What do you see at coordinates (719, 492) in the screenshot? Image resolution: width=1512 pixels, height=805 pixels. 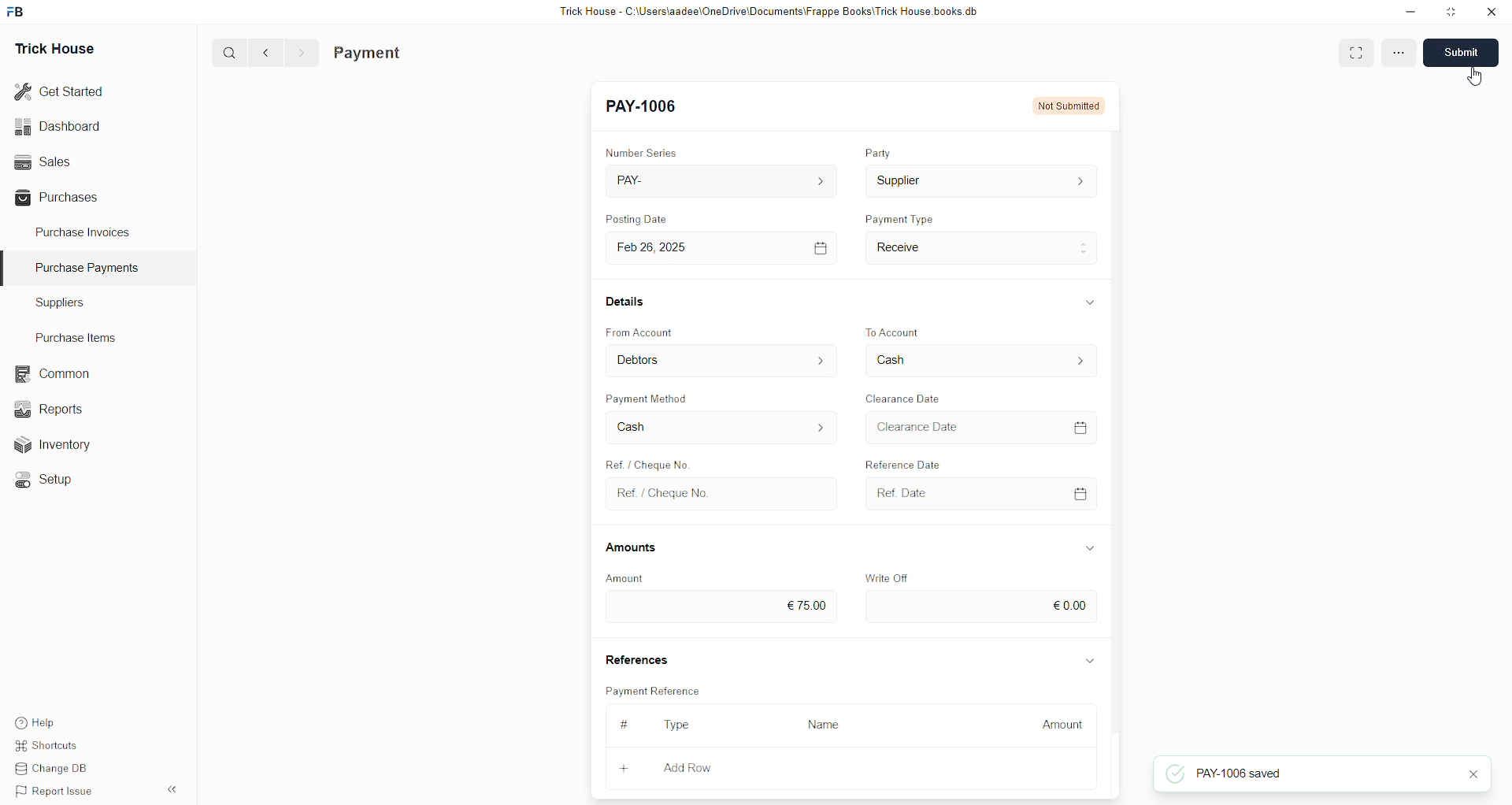 I see `Ref. / Cheque No.` at bounding box center [719, 492].